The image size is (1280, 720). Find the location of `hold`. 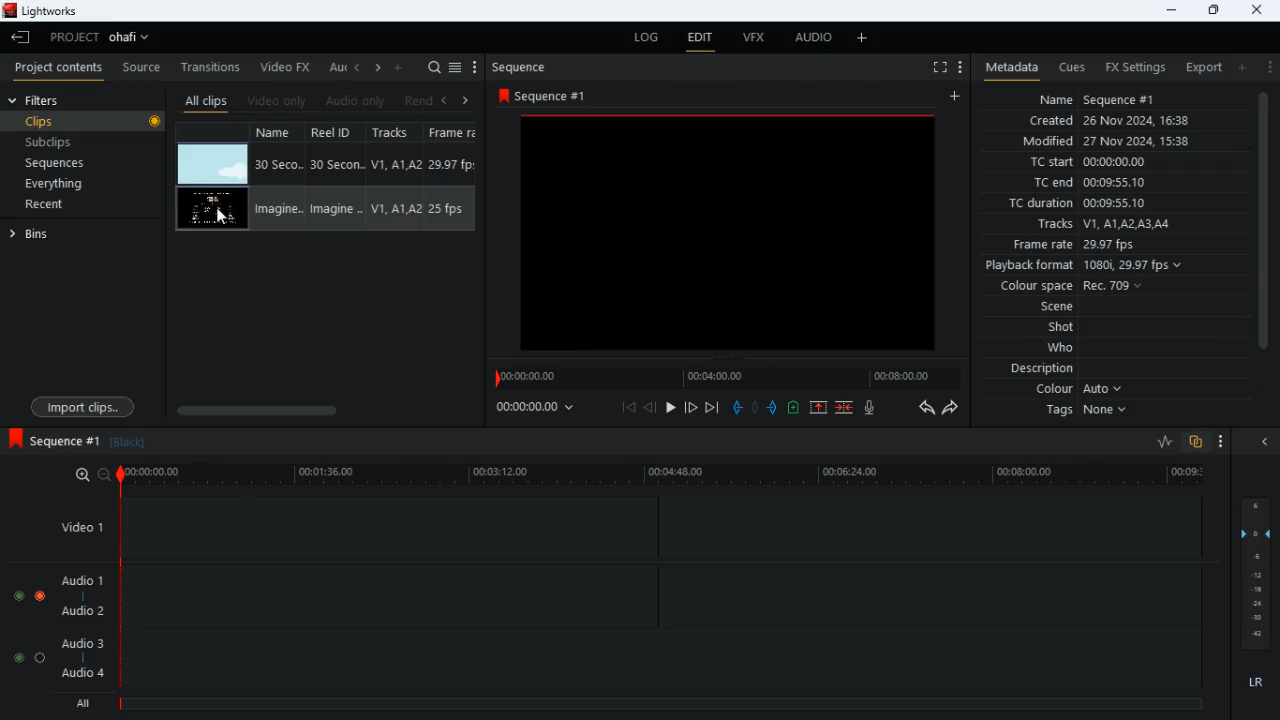

hold is located at coordinates (755, 408).